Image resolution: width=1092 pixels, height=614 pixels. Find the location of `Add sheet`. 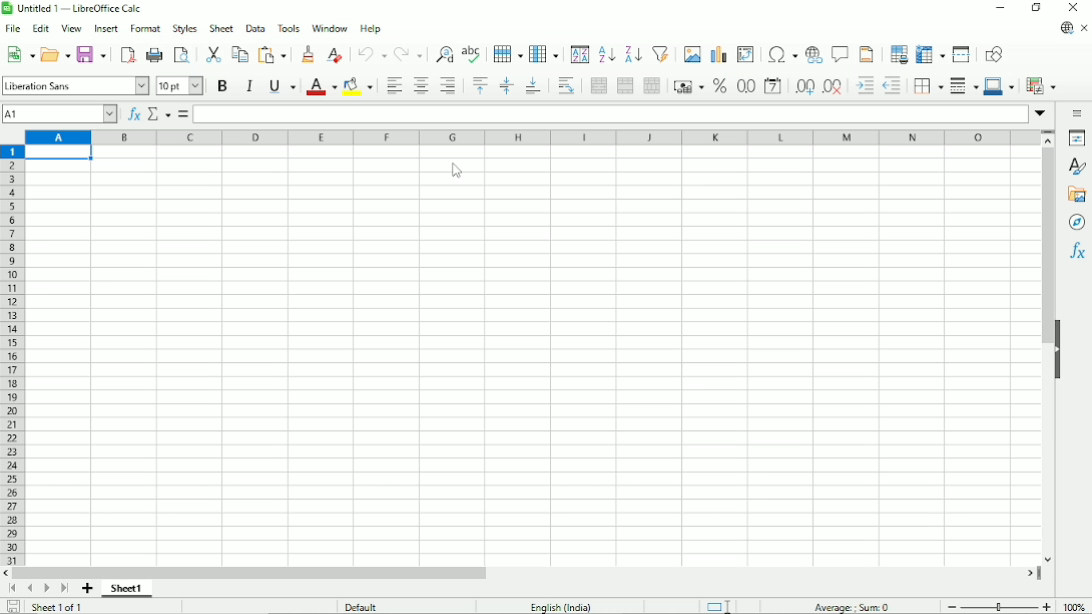

Add sheet is located at coordinates (88, 589).